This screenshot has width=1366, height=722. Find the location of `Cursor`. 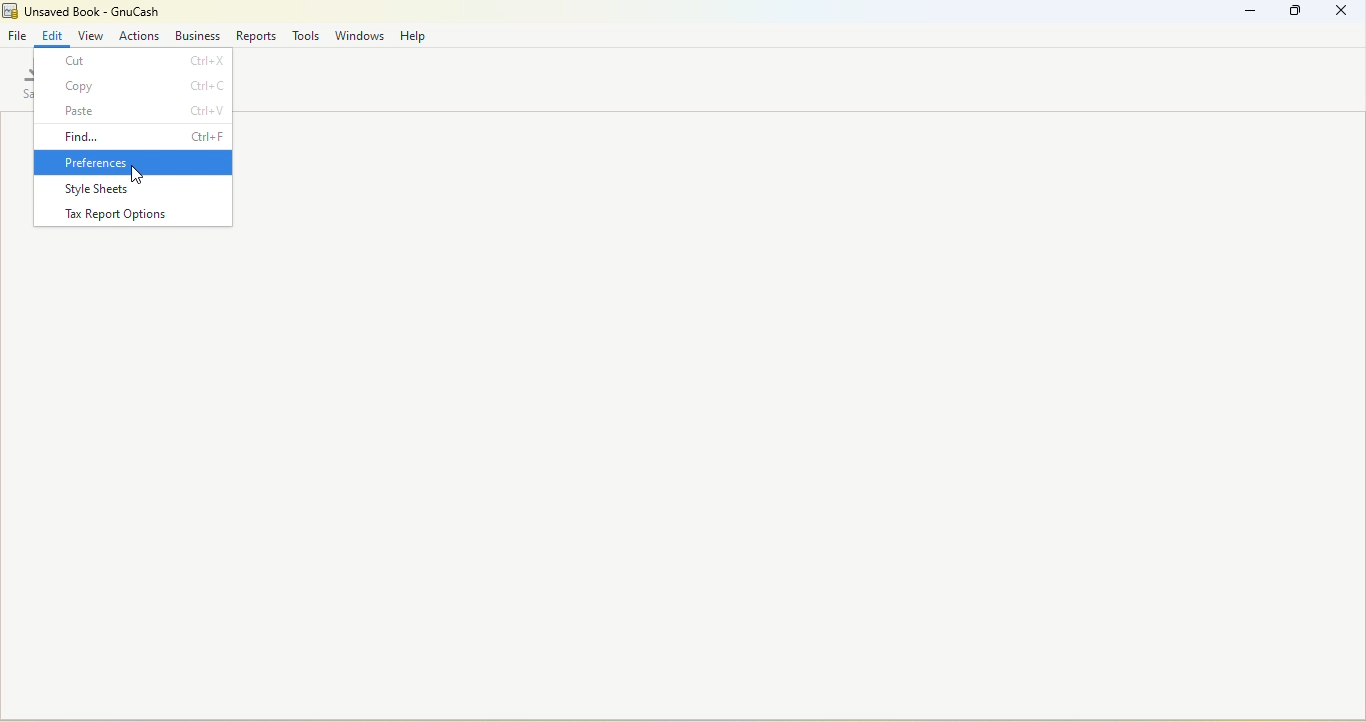

Cursor is located at coordinates (136, 175).